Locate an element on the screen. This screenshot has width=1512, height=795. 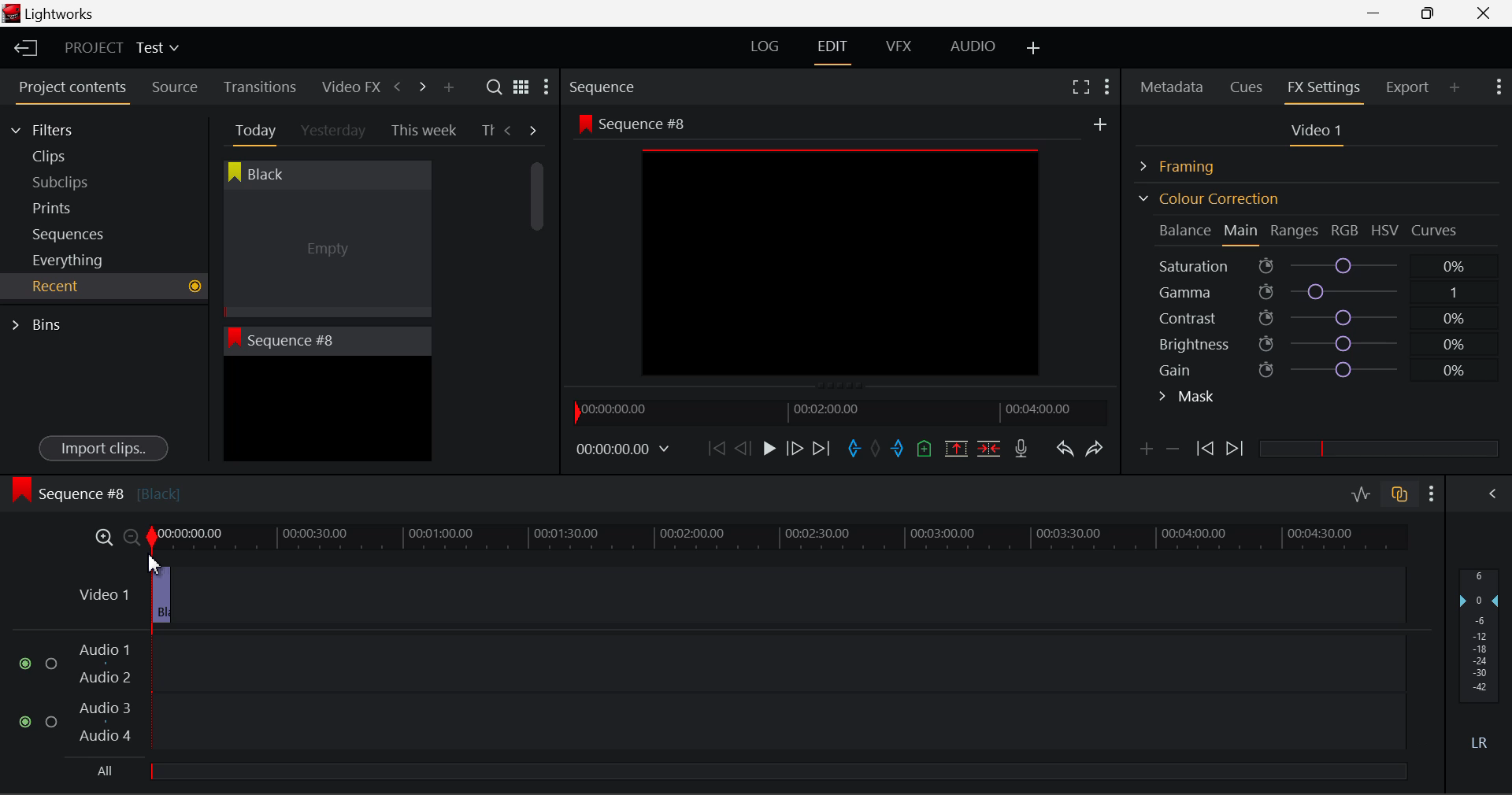
slider is located at coordinates (1378, 448).